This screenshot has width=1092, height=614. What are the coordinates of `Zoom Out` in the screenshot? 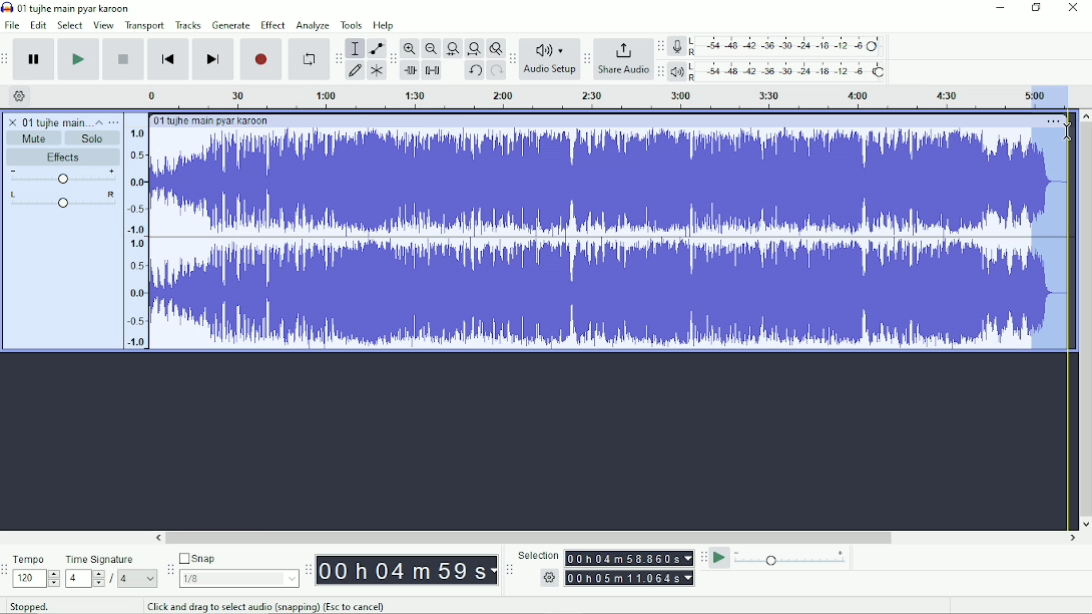 It's located at (431, 48).